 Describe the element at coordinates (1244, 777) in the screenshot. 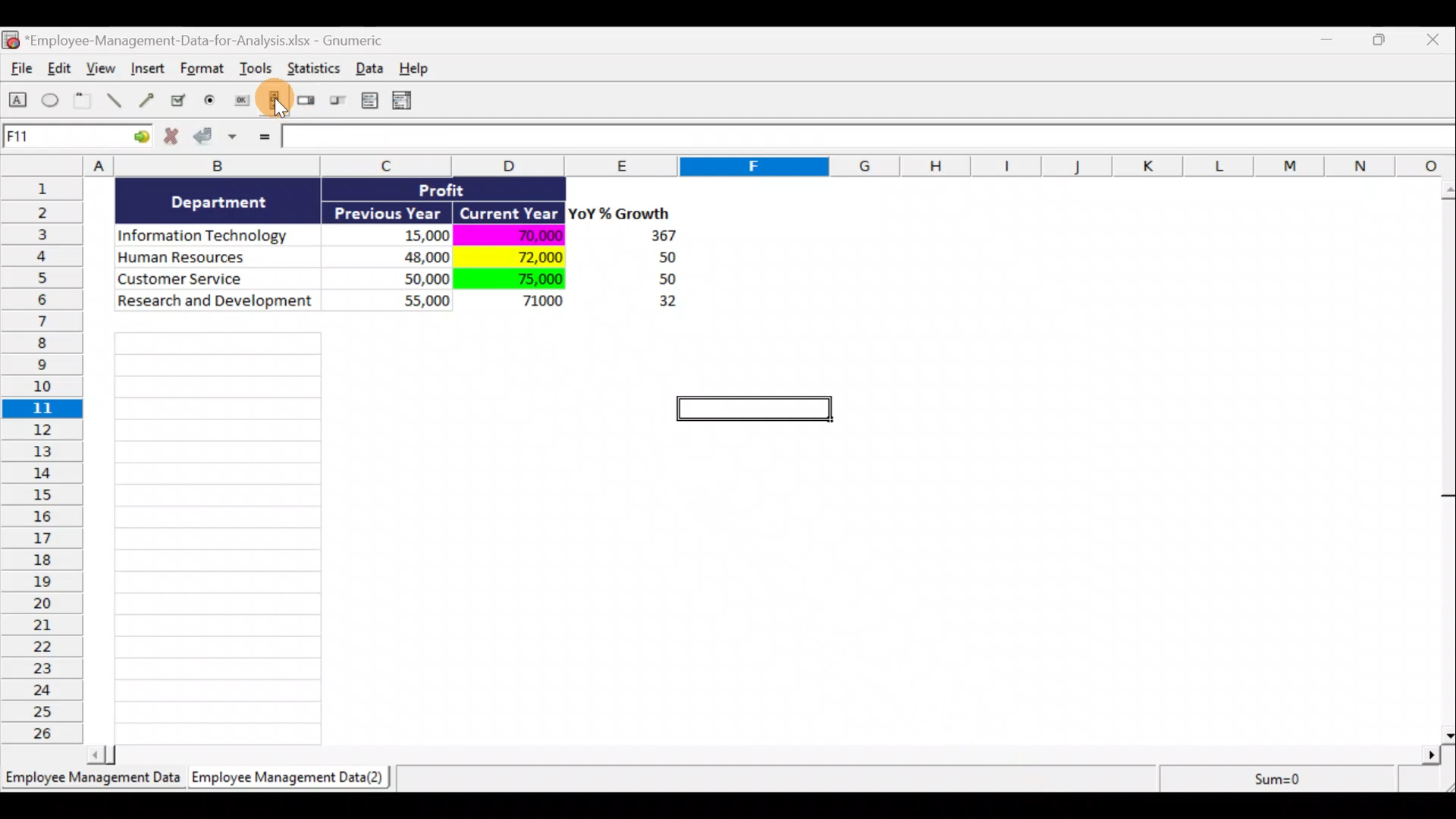

I see `Sum=0` at that location.